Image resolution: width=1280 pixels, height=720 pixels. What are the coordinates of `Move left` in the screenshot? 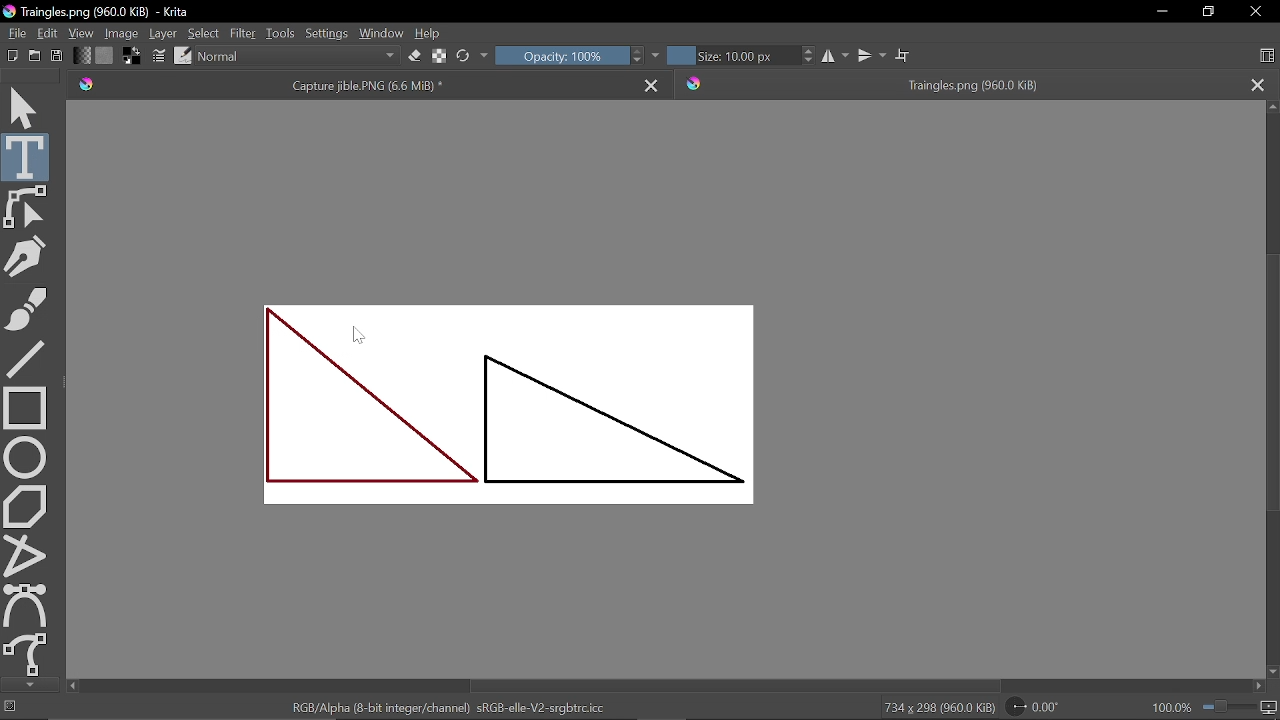 It's located at (72, 686).